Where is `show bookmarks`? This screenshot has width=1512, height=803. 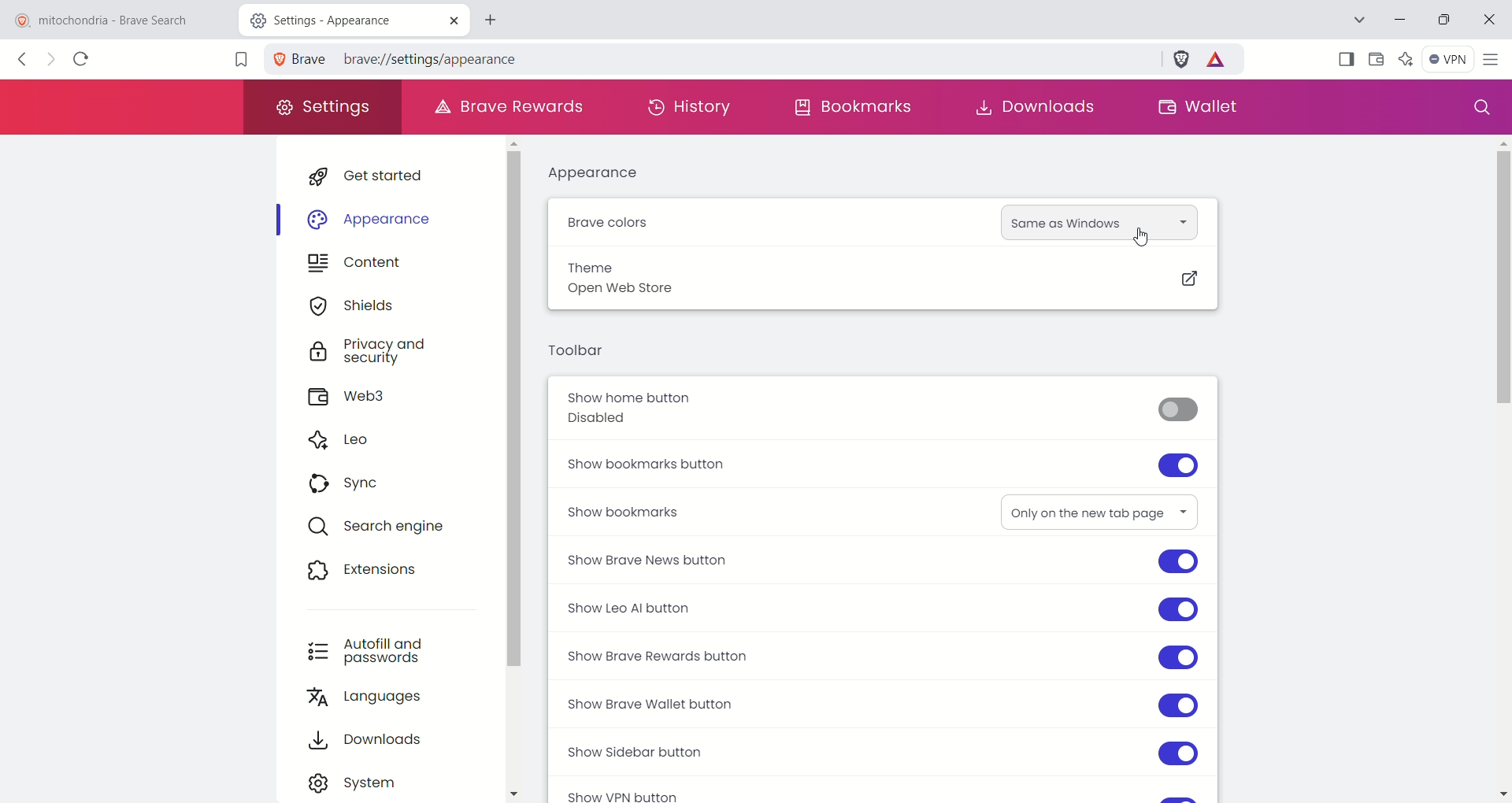
show bookmarks is located at coordinates (637, 515).